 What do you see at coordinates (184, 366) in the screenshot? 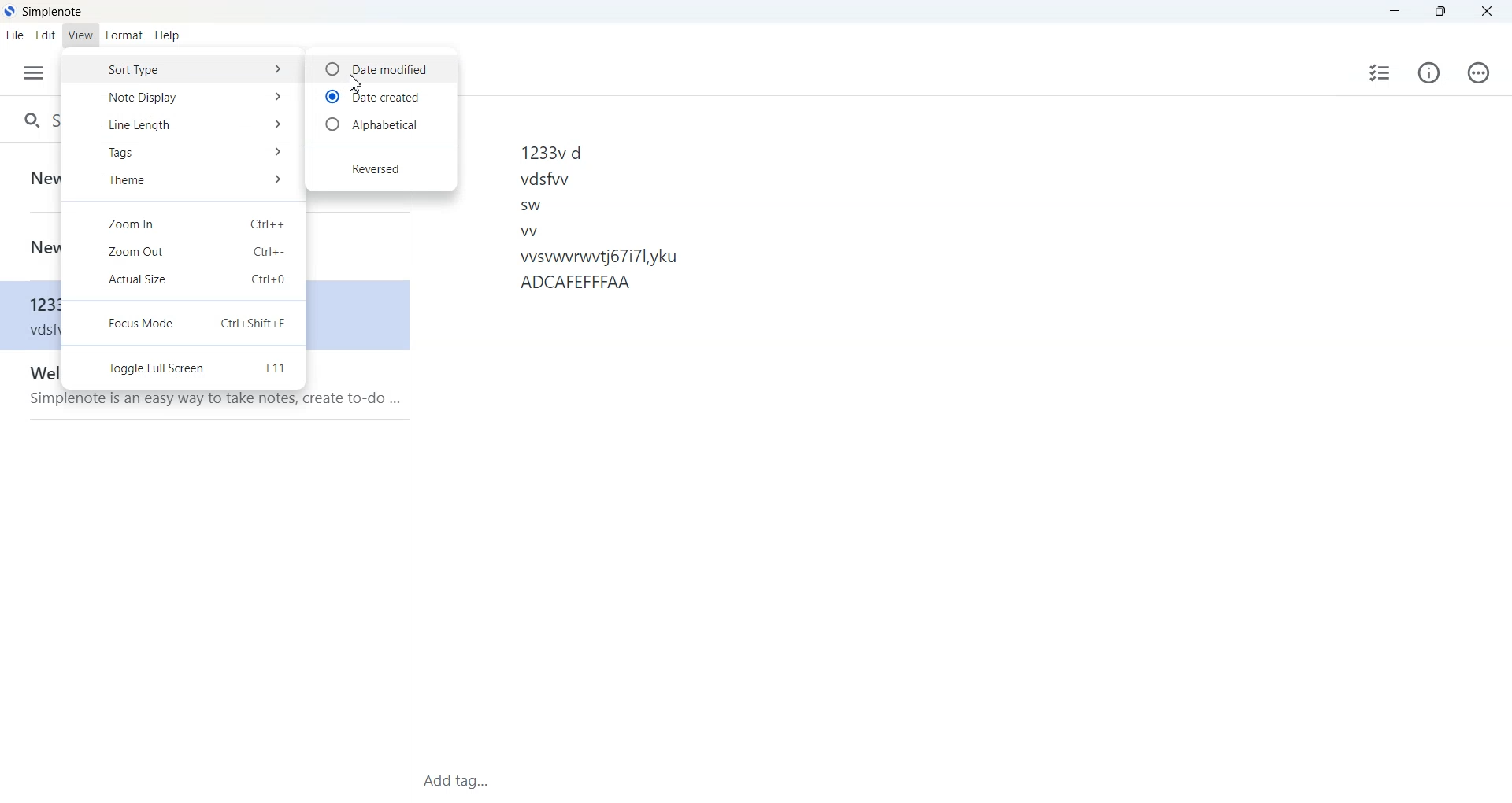
I see `Toggle full screen` at bounding box center [184, 366].